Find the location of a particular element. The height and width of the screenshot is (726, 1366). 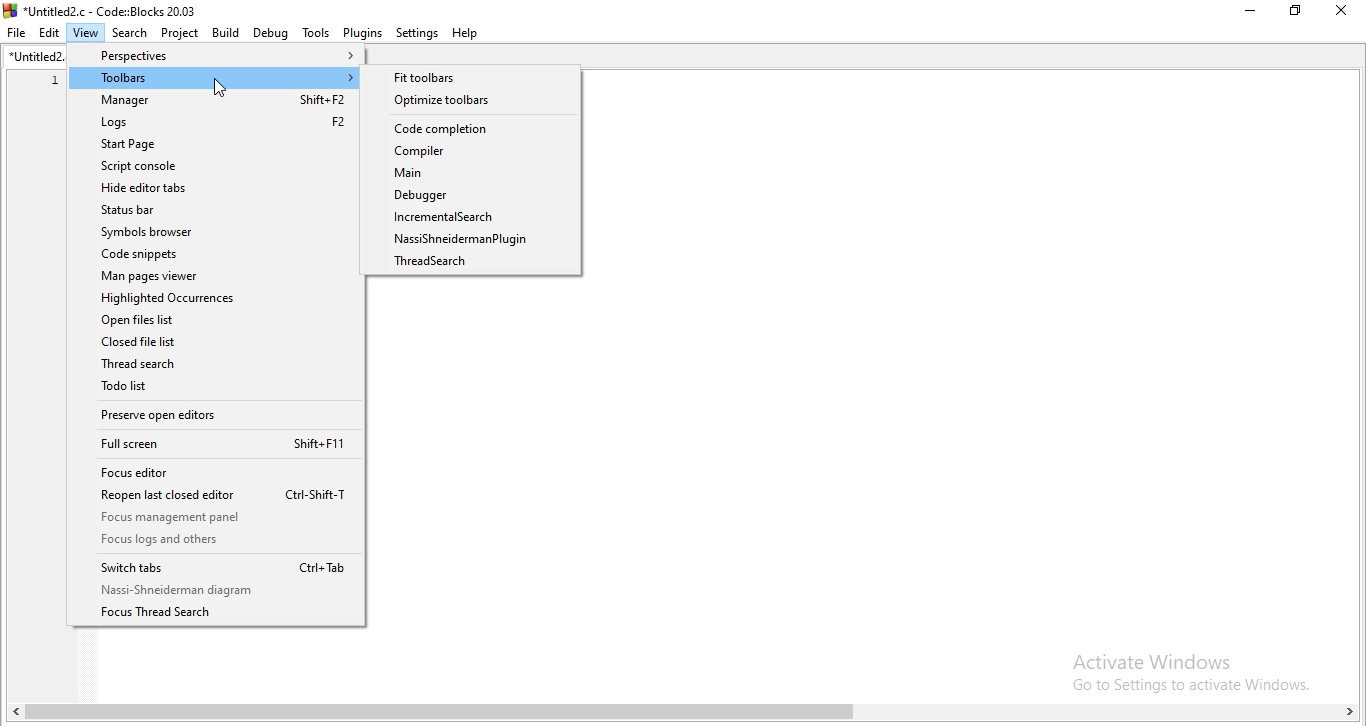

Logs  is located at coordinates (206, 123).